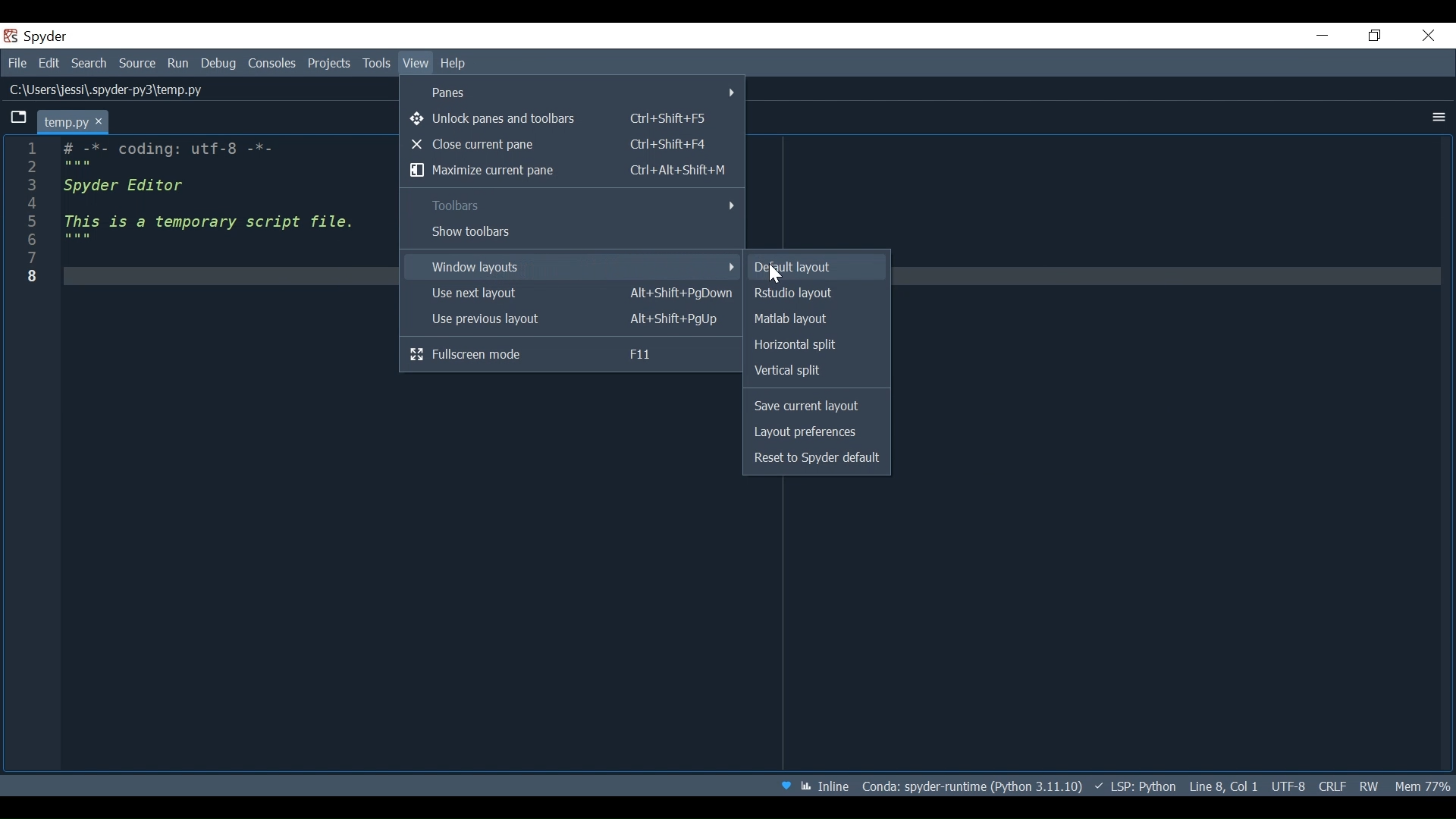  I want to click on Use next layout, so click(572, 293).